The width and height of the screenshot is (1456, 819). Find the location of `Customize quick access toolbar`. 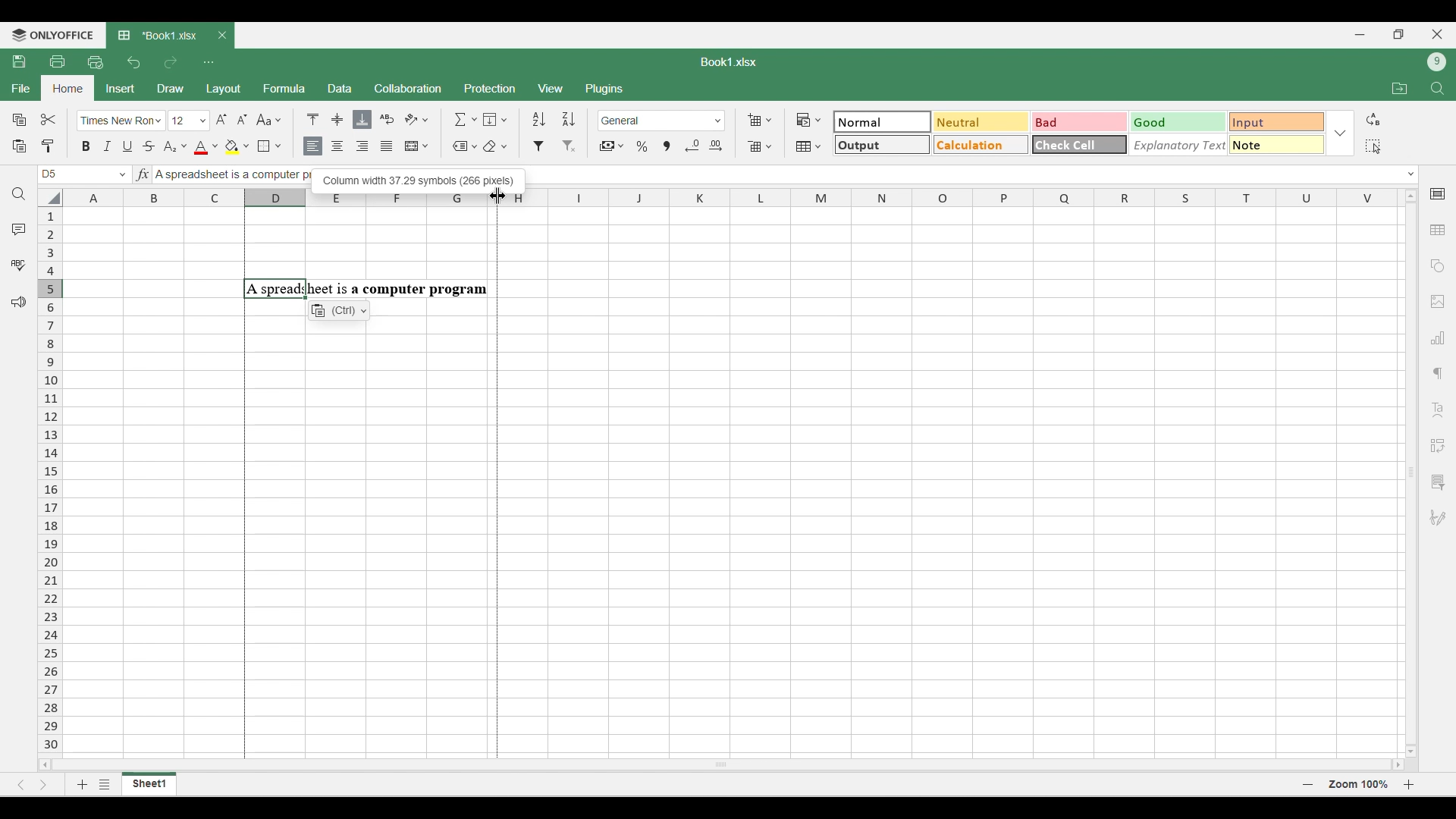

Customize quick access toolbar is located at coordinates (209, 62).